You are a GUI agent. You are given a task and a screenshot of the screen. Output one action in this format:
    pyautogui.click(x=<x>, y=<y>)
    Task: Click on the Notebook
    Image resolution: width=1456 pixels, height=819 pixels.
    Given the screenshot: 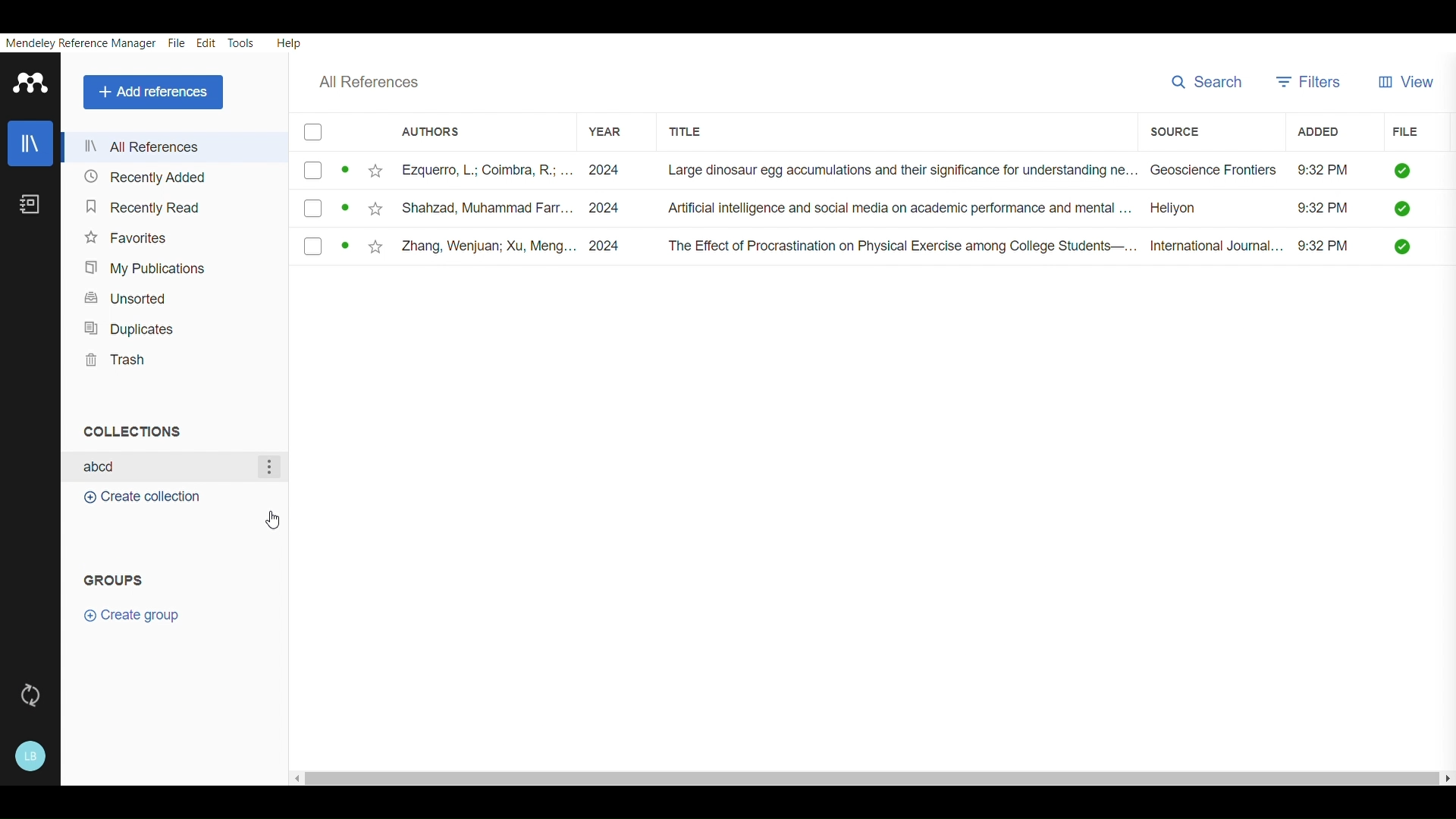 What is the action you would take?
    pyautogui.click(x=32, y=206)
    